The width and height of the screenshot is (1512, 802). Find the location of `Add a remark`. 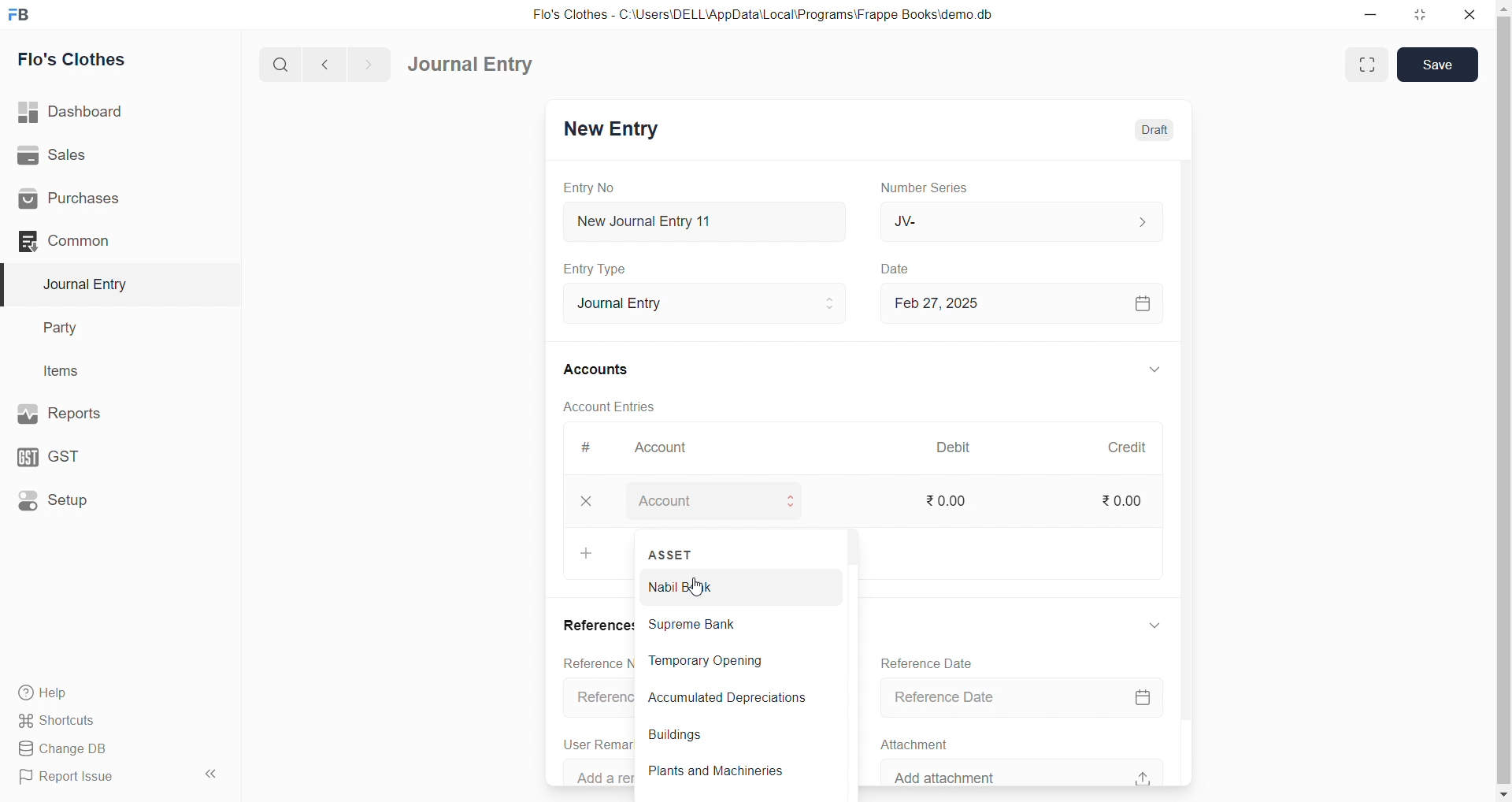

Add a remark is located at coordinates (600, 771).